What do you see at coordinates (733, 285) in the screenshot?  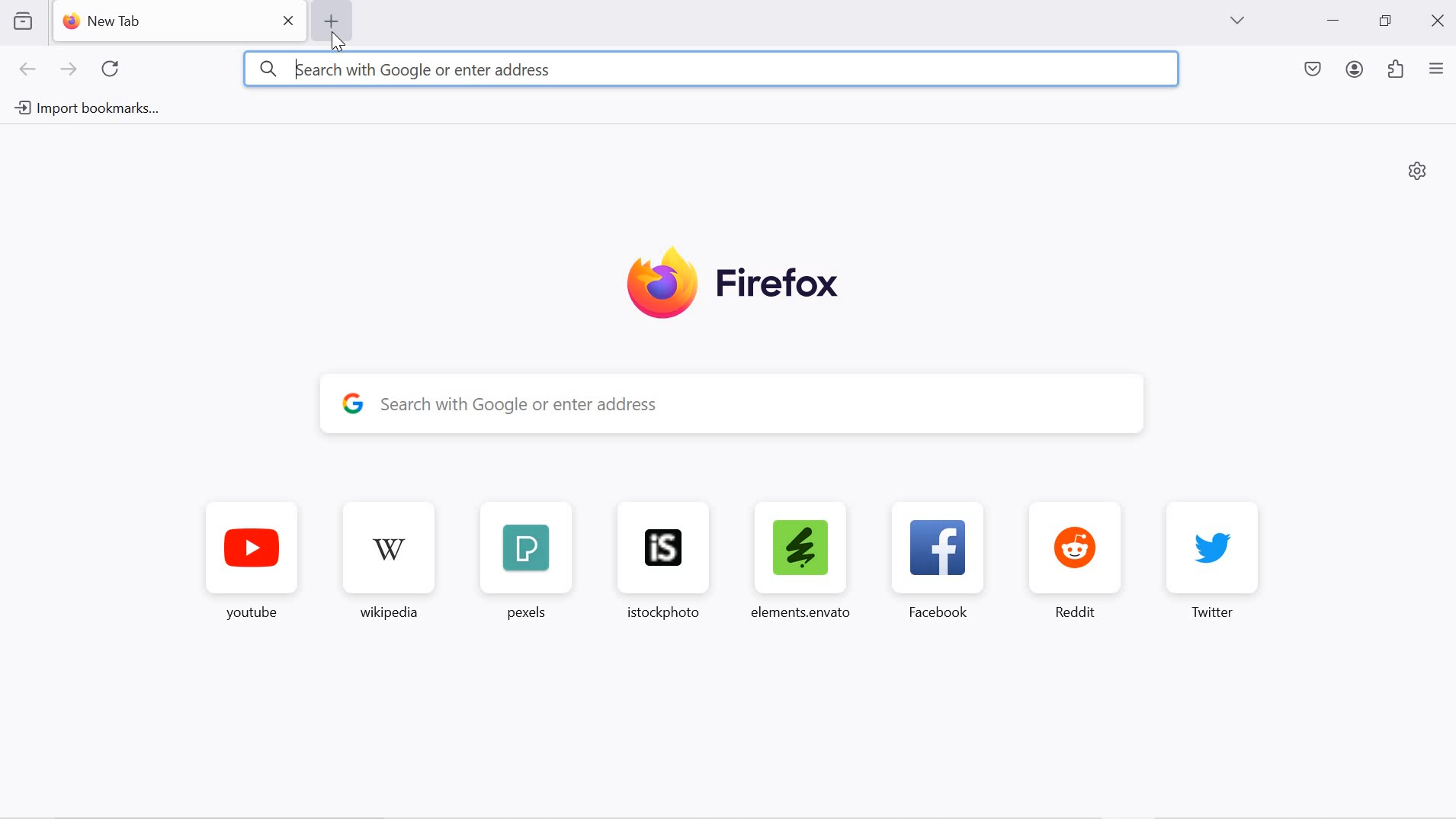 I see `Firefox logo` at bounding box center [733, 285].